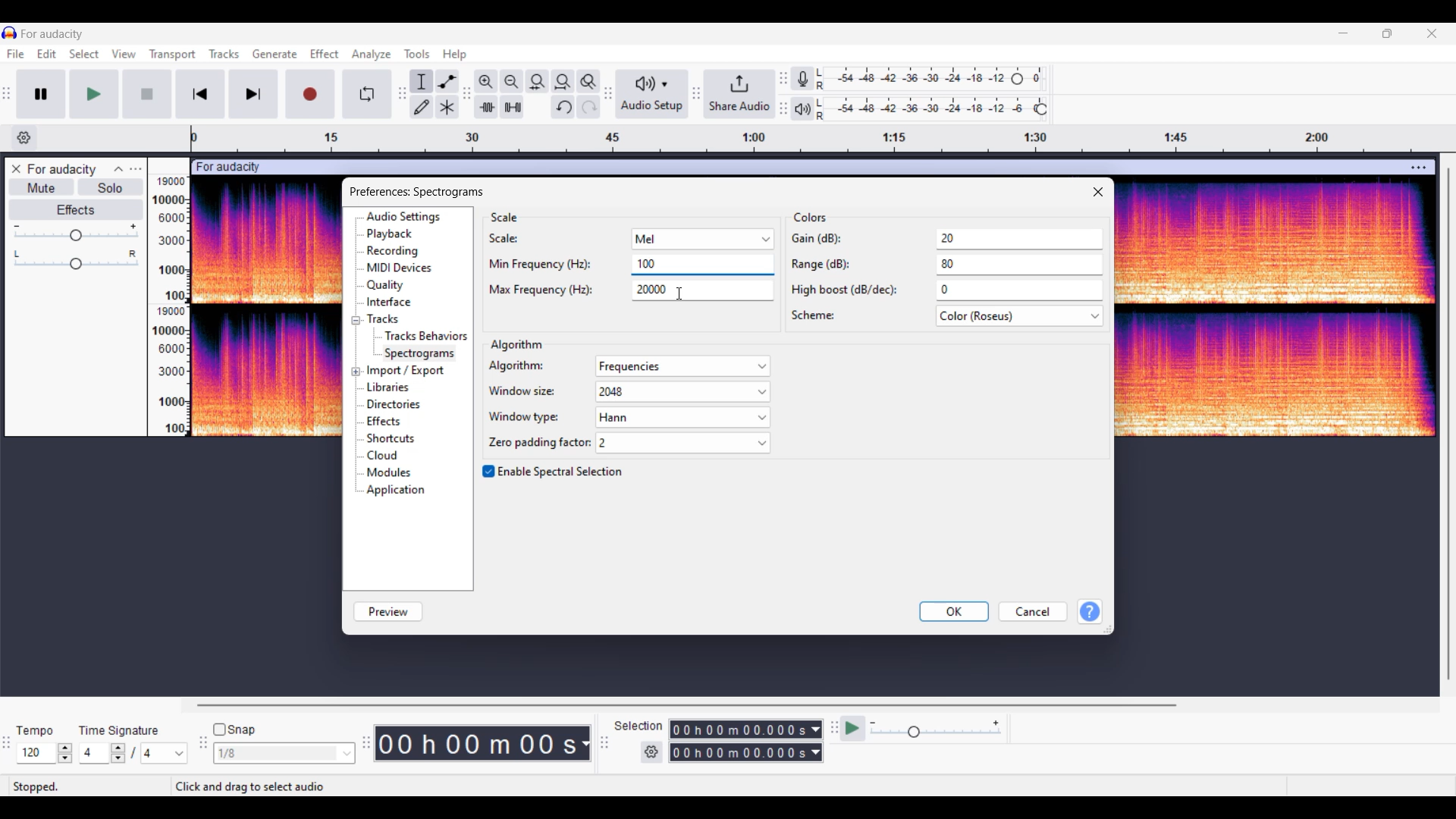 Image resolution: width=1456 pixels, height=819 pixels. I want to click on Scale to measure length of track, so click(816, 139).